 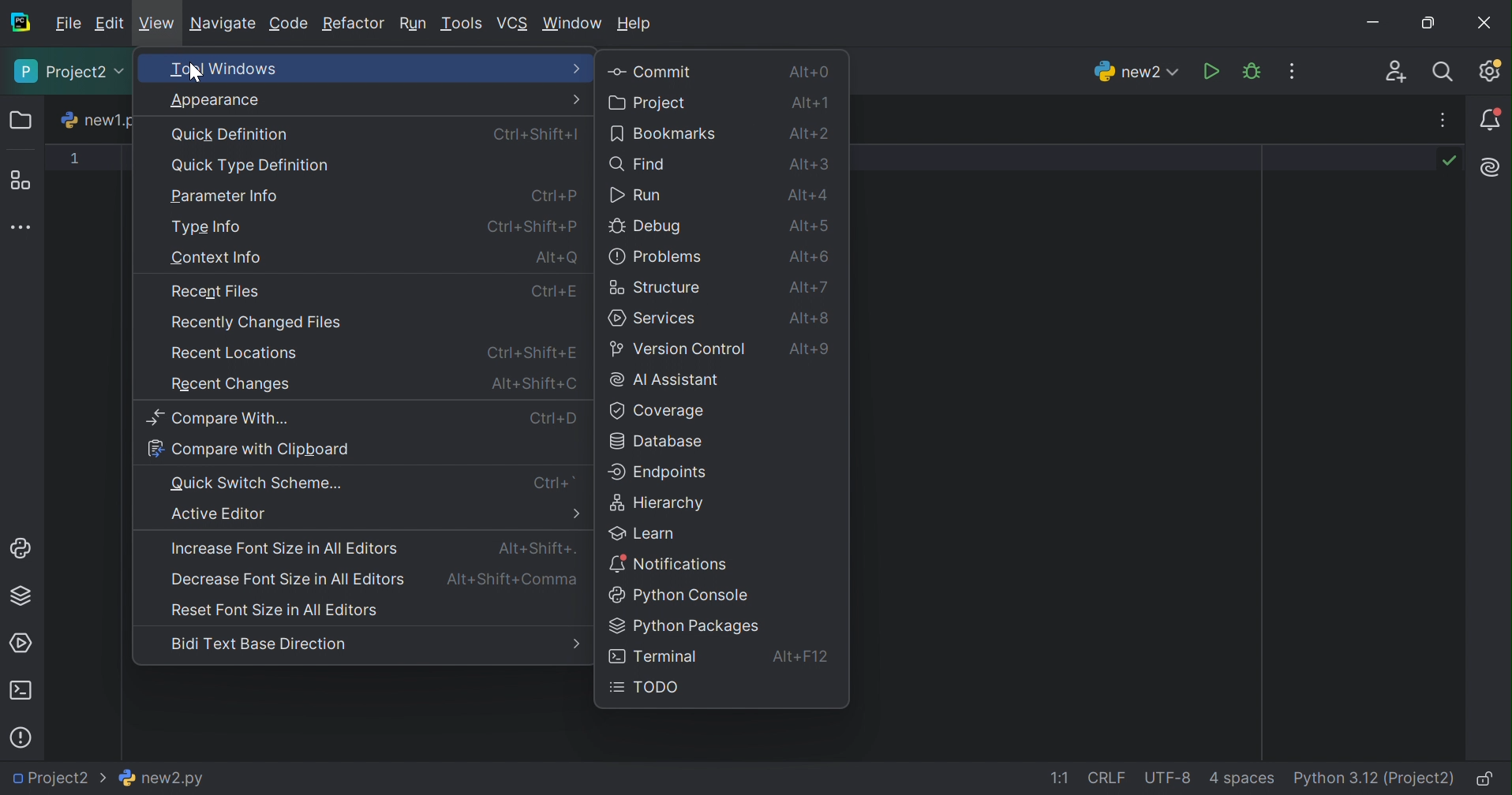 What do you see at coordinates (1439, 121) in the screenshot?
I see `Recent files, tab actions, and more` at bounding box center [1439, 121].